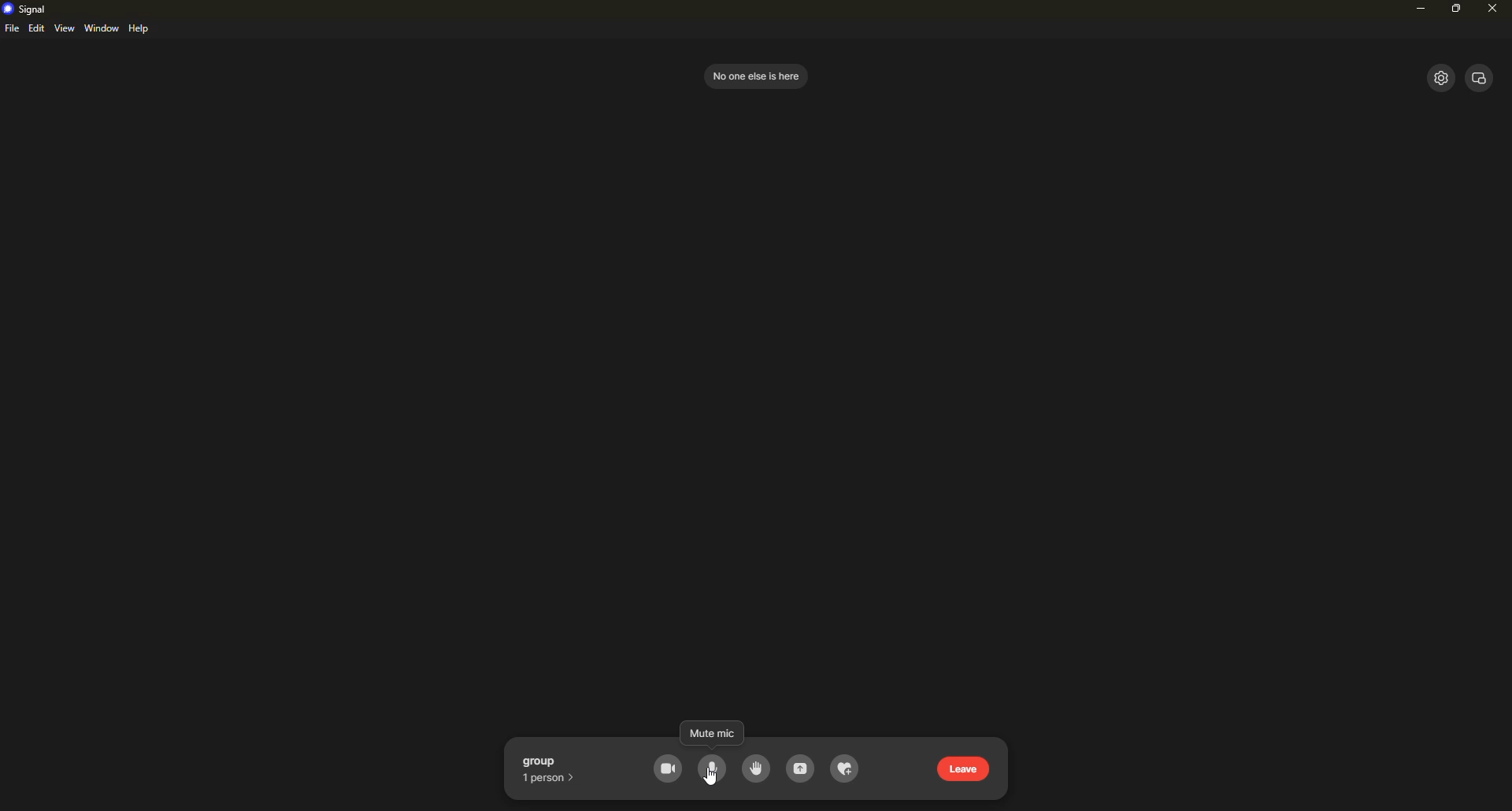  What do you see at coordinates (846, 770) in the screenshot?
I see `reaction` at bounding box center [846, 770].